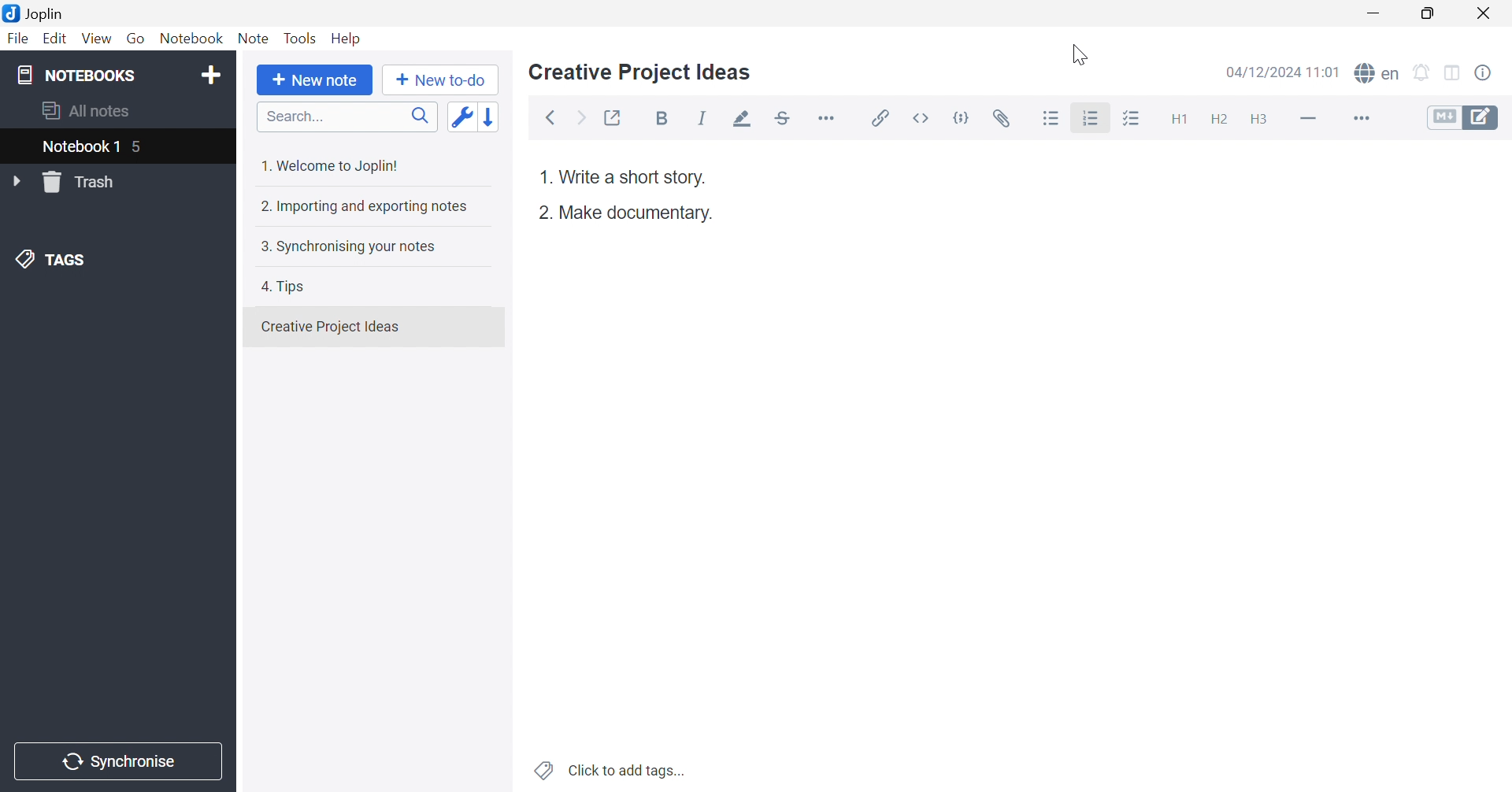 The height and width of the screenshot is (792, 1512). What do you see at coordinates (545, 180) in the screenshot?
I see `1.` at bounding box center [545, 180].